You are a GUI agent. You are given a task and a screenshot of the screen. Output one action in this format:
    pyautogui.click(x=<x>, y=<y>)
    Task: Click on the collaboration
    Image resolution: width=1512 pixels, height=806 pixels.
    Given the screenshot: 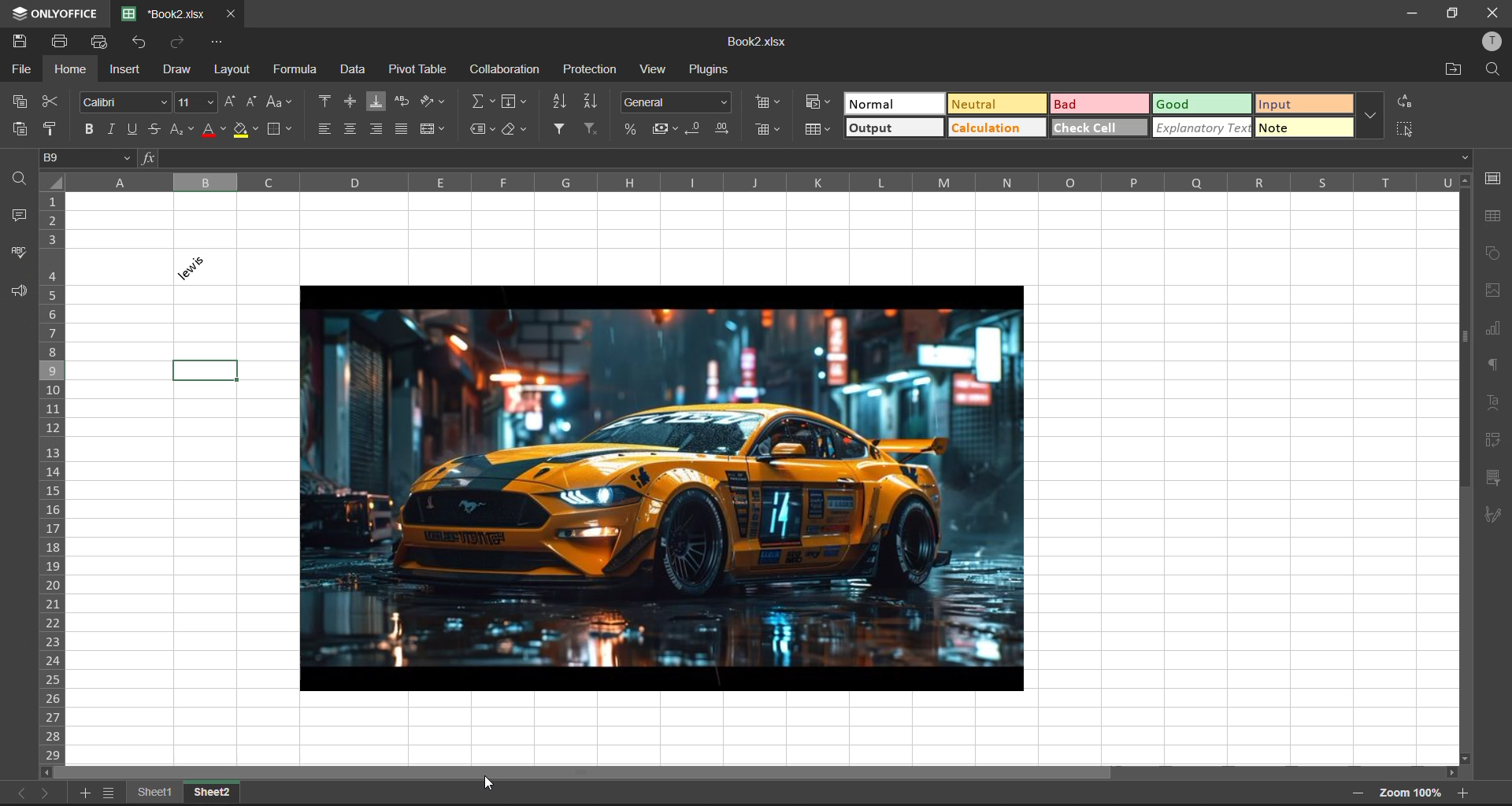 What is the action you would take?
    pyautogui.click(x=510, y=69)
    